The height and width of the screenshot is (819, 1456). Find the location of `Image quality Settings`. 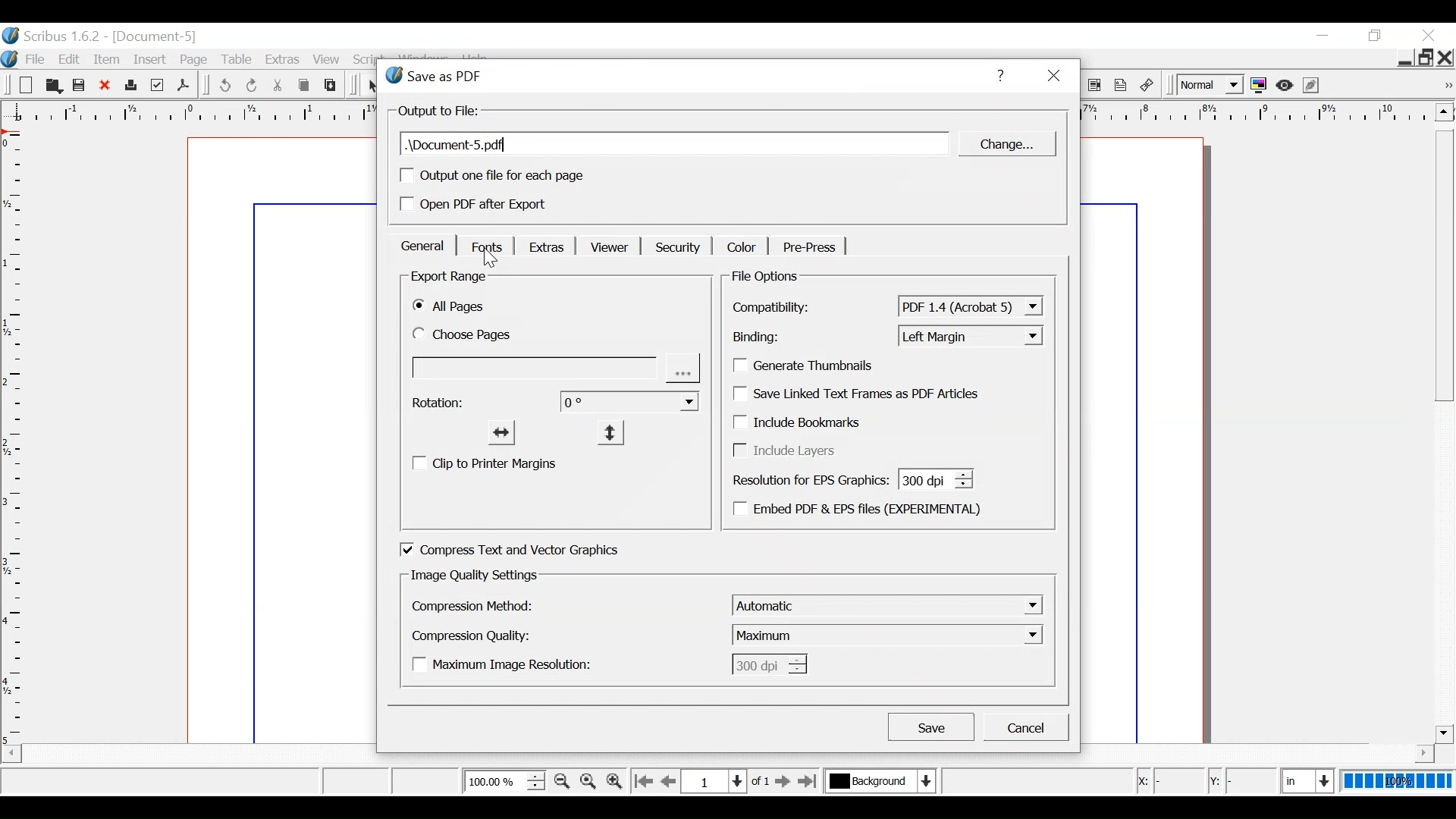

Image quality Settings is located at coordinates (474, 576).